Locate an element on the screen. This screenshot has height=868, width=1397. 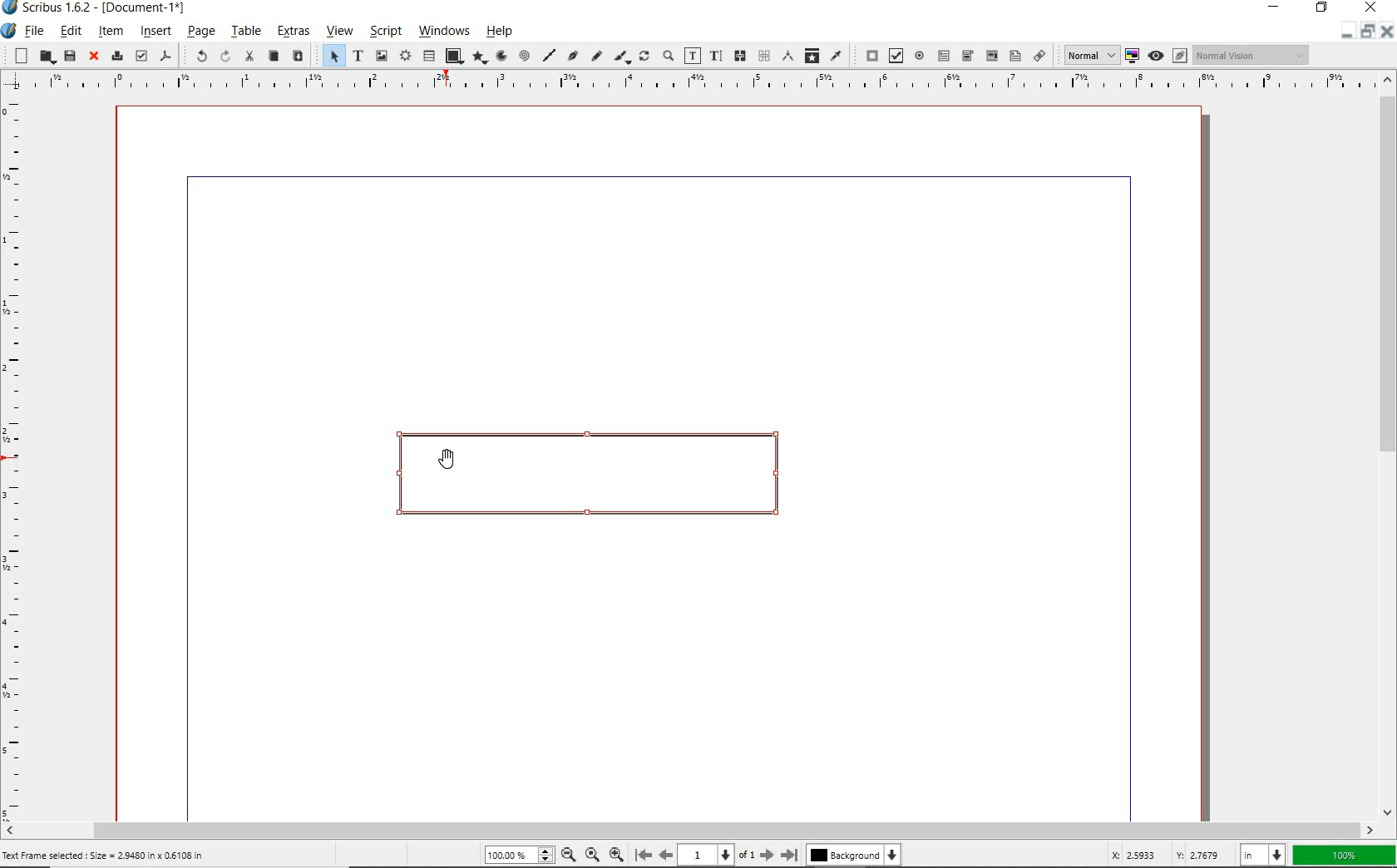
pdf check box is located at coordinates (895, 56).